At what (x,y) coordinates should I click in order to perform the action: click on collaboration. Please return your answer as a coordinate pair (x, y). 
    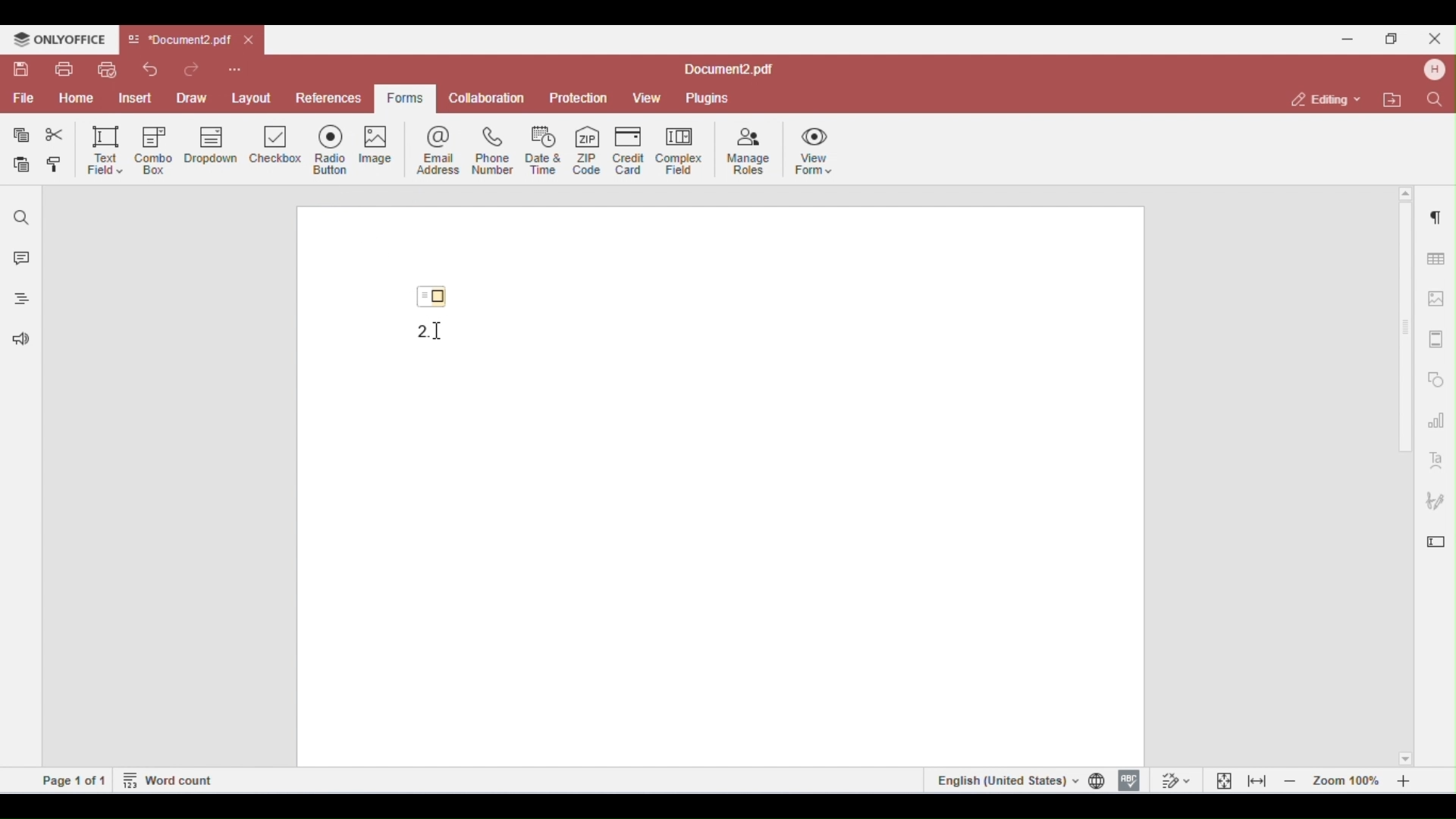
    Looking at the image, I should click on (487, 97).